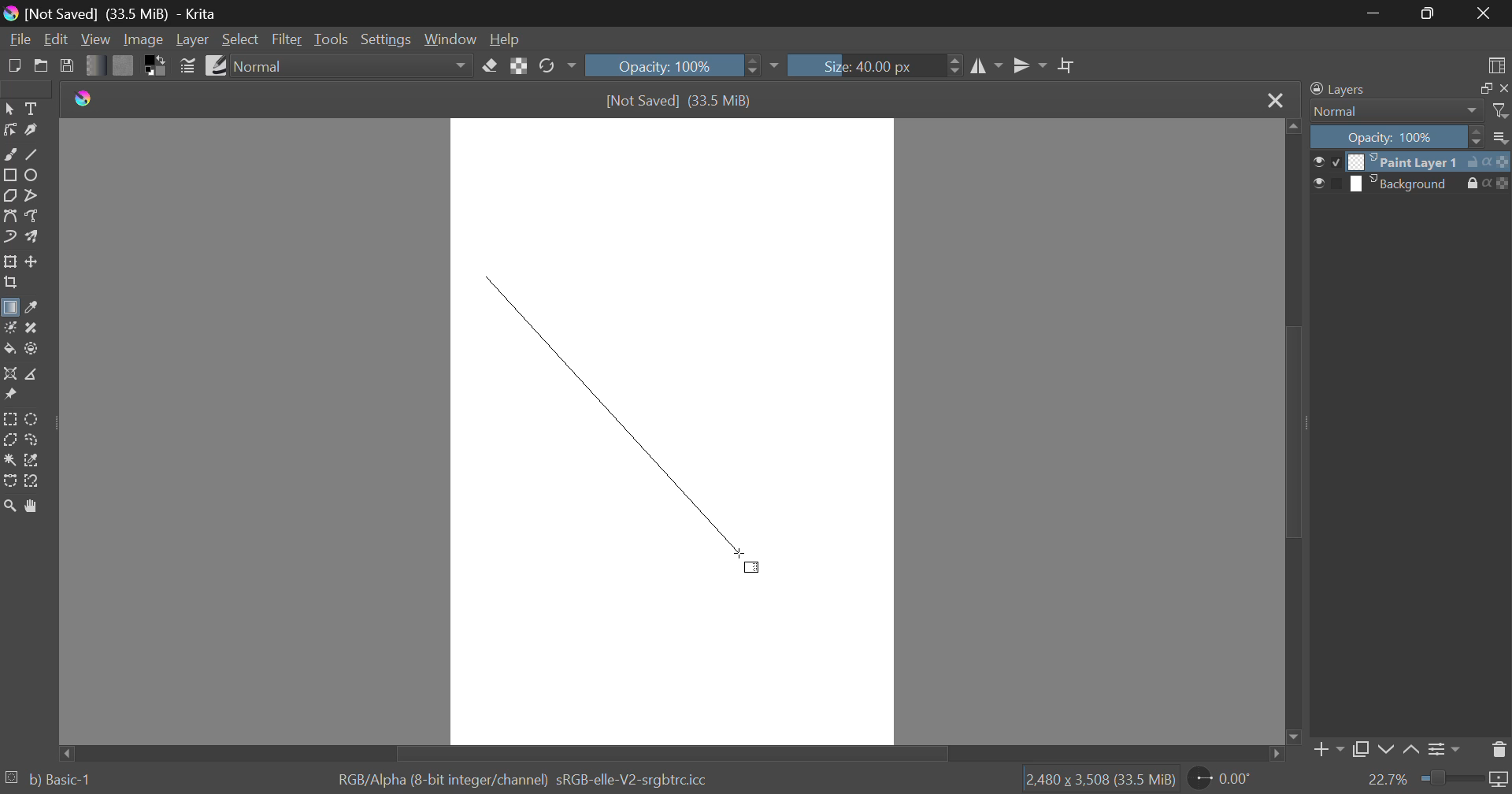 This screenshot has height=794, width=1512. I want to click on Fill, so click(9, 349).